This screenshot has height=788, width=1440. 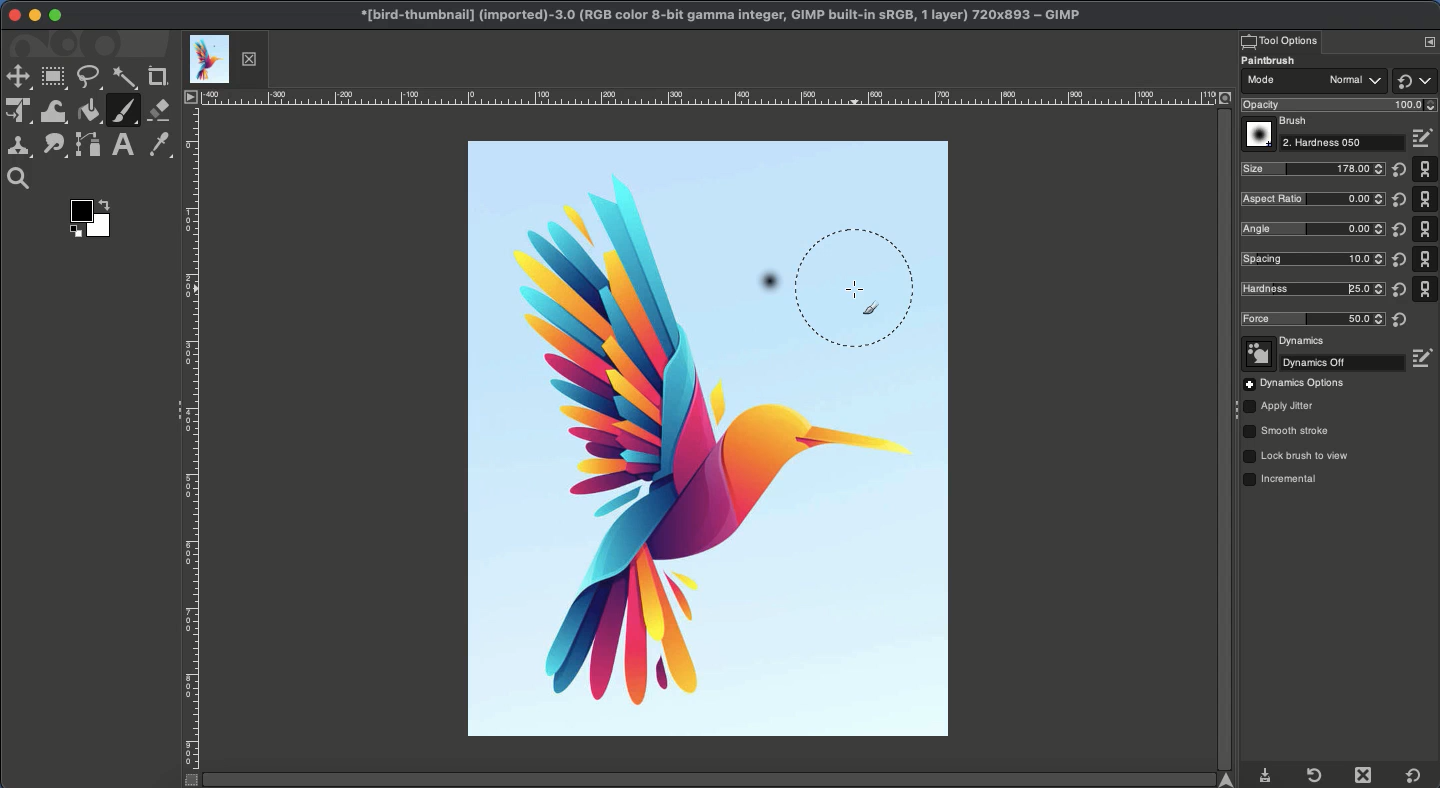 What do you see at coordinates (89, 146) in the screenshot?
I see `Path` at bounding box center [89, 146].